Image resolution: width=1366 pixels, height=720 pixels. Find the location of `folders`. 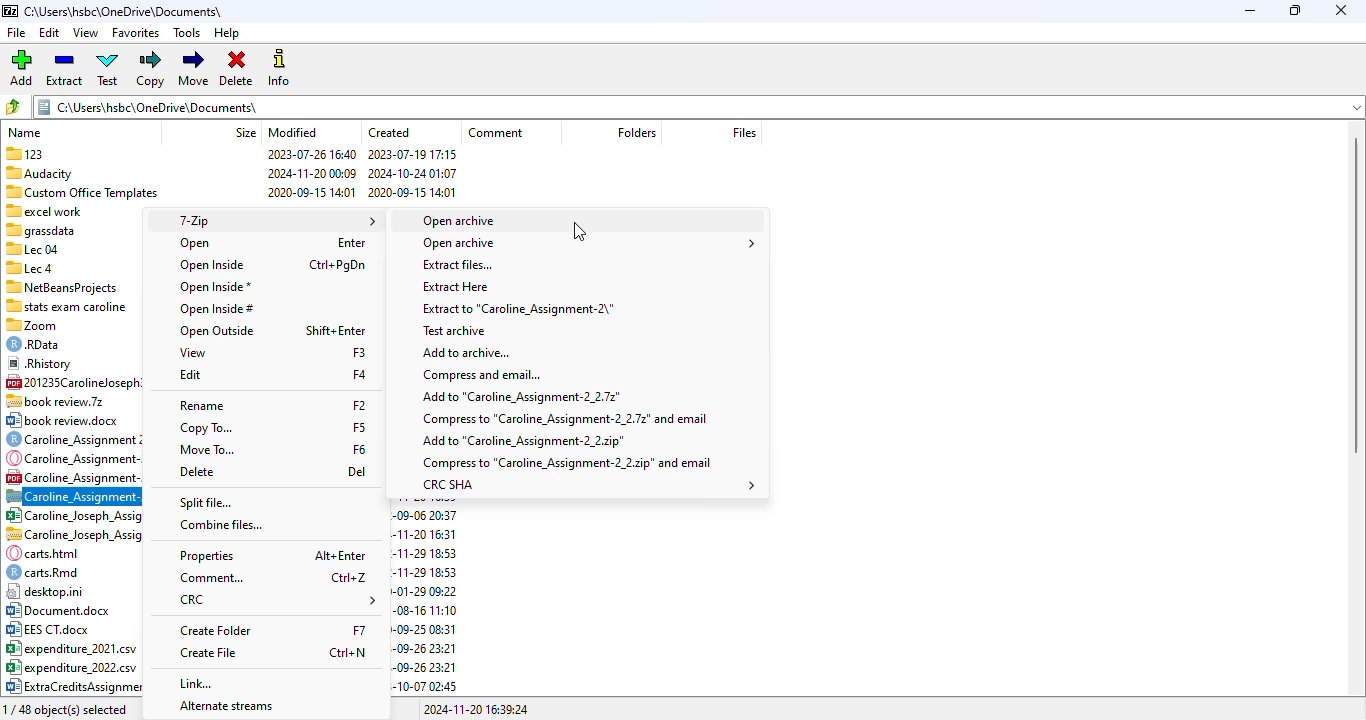

folders is located at coordinates (635, 131).